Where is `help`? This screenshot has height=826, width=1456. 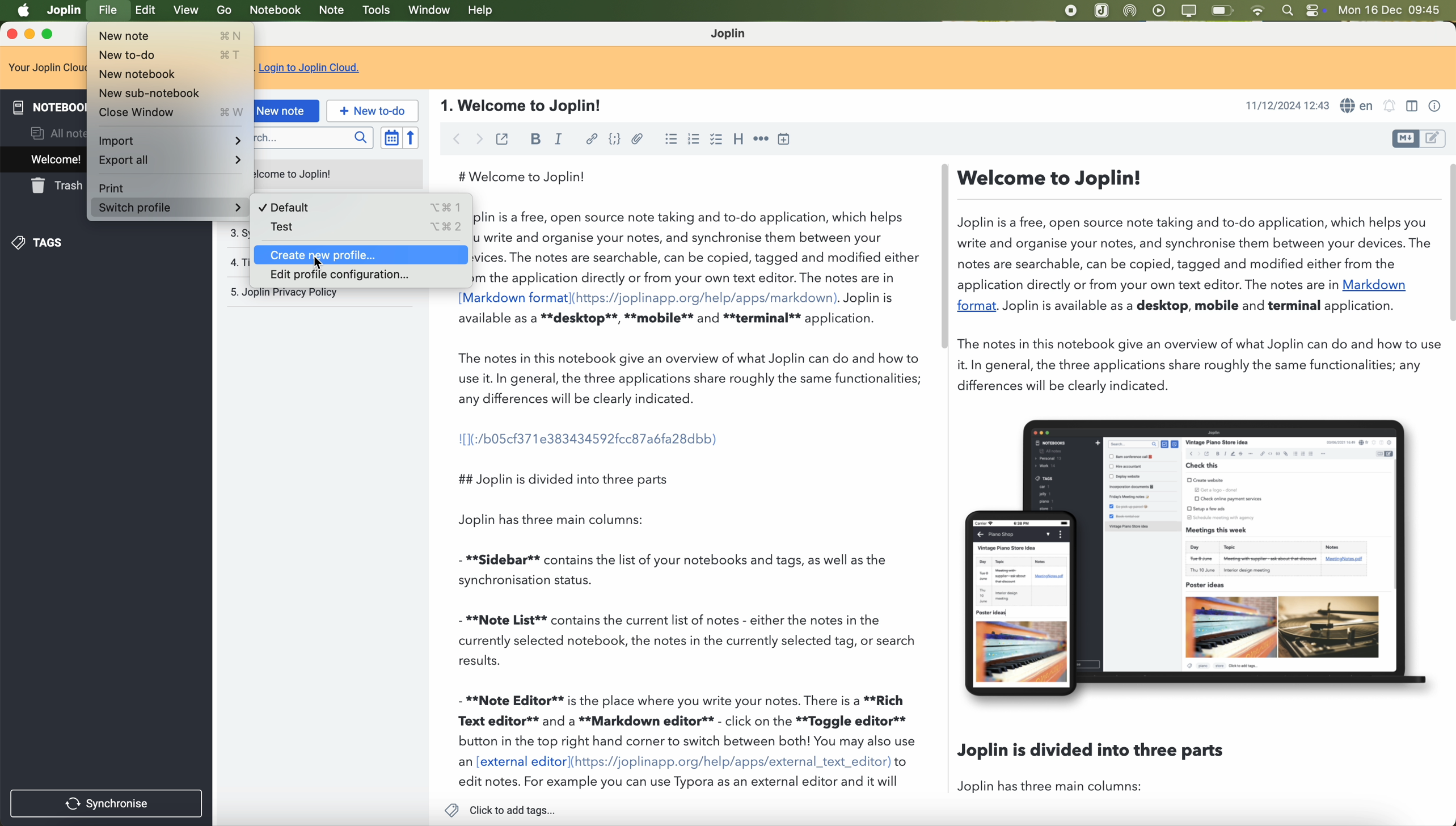
help is located at coordinates (482, 11).